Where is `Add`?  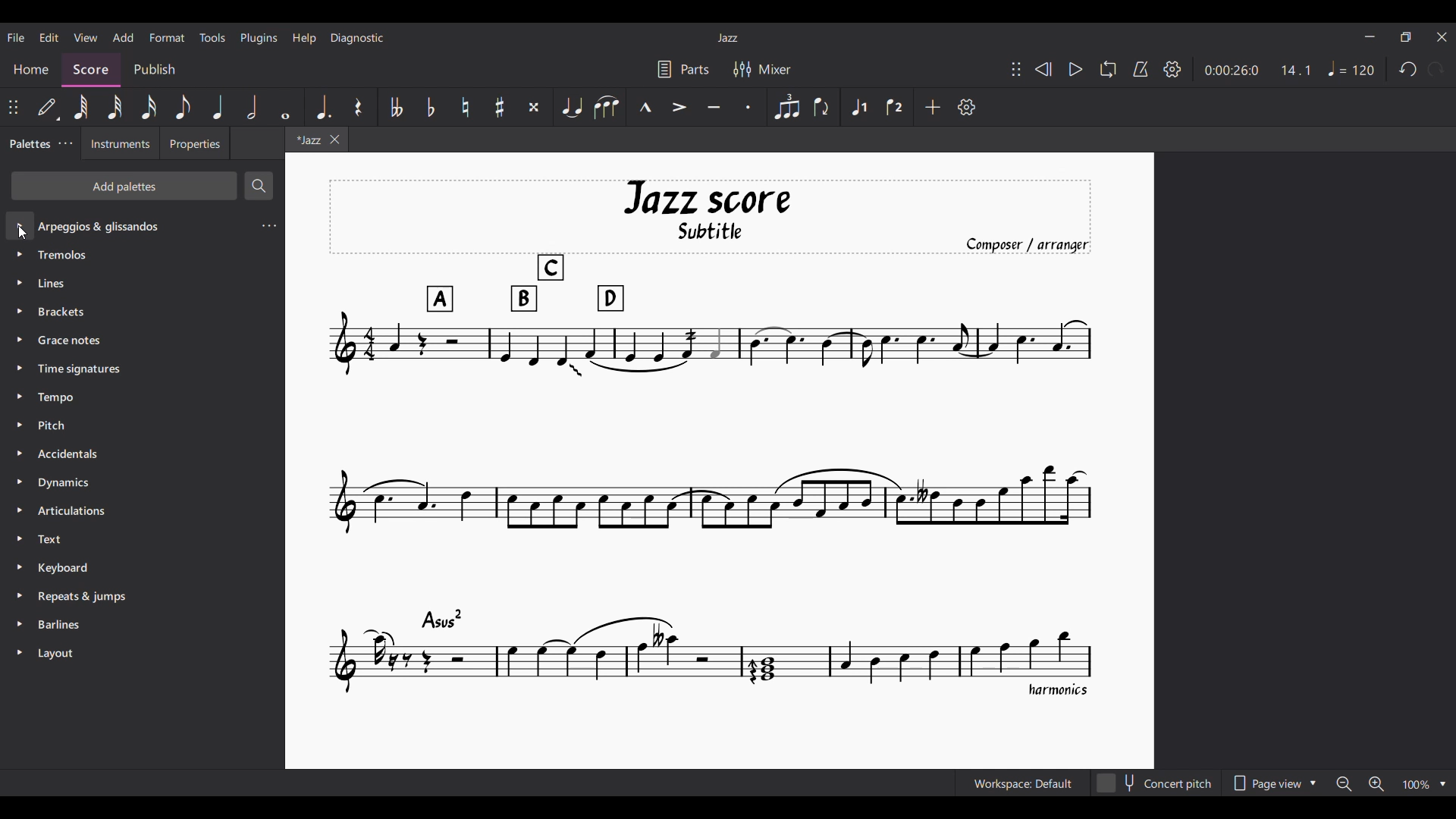 Add is located at coordinates (933, 107).